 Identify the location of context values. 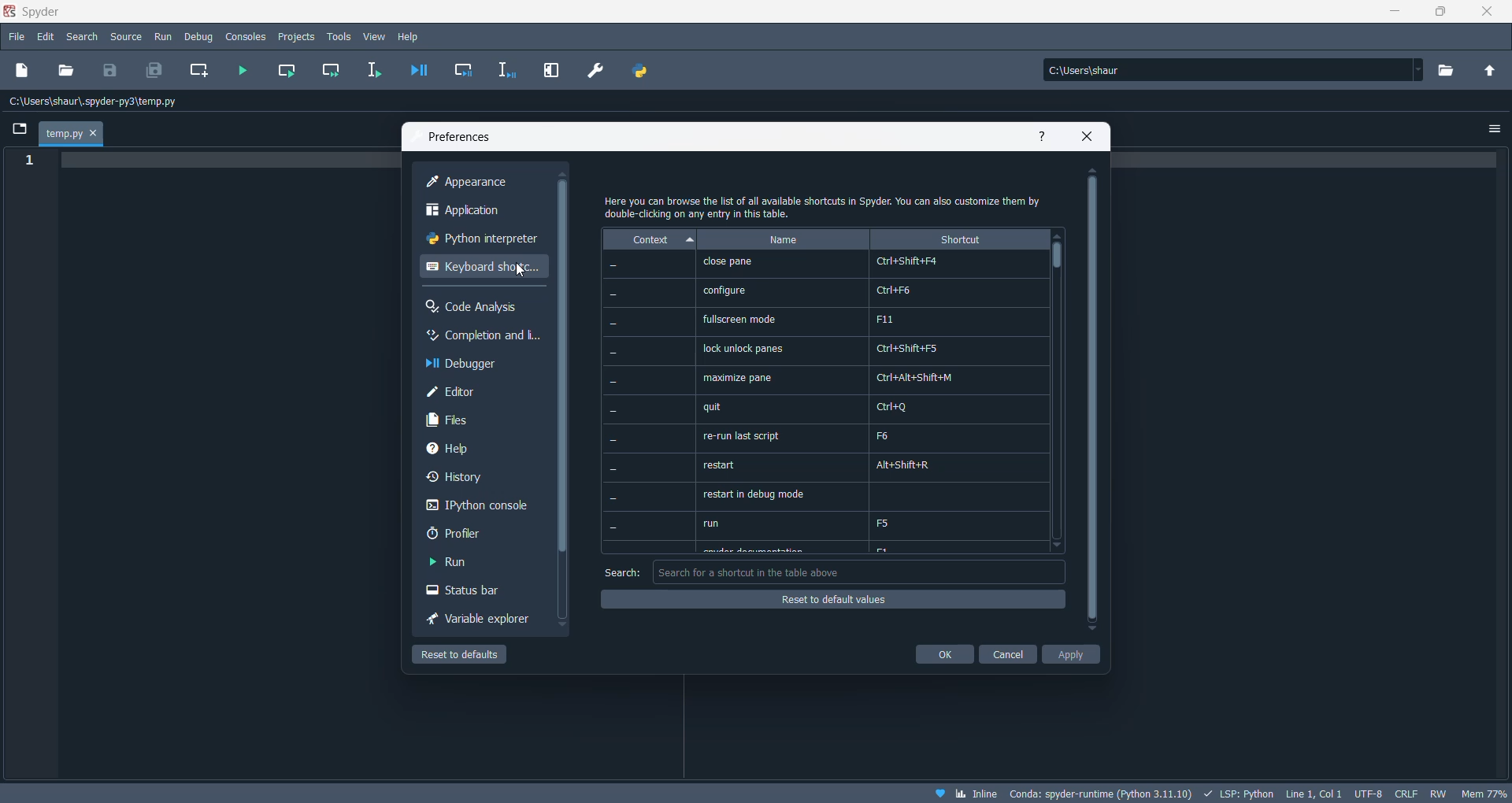
(648, 402).